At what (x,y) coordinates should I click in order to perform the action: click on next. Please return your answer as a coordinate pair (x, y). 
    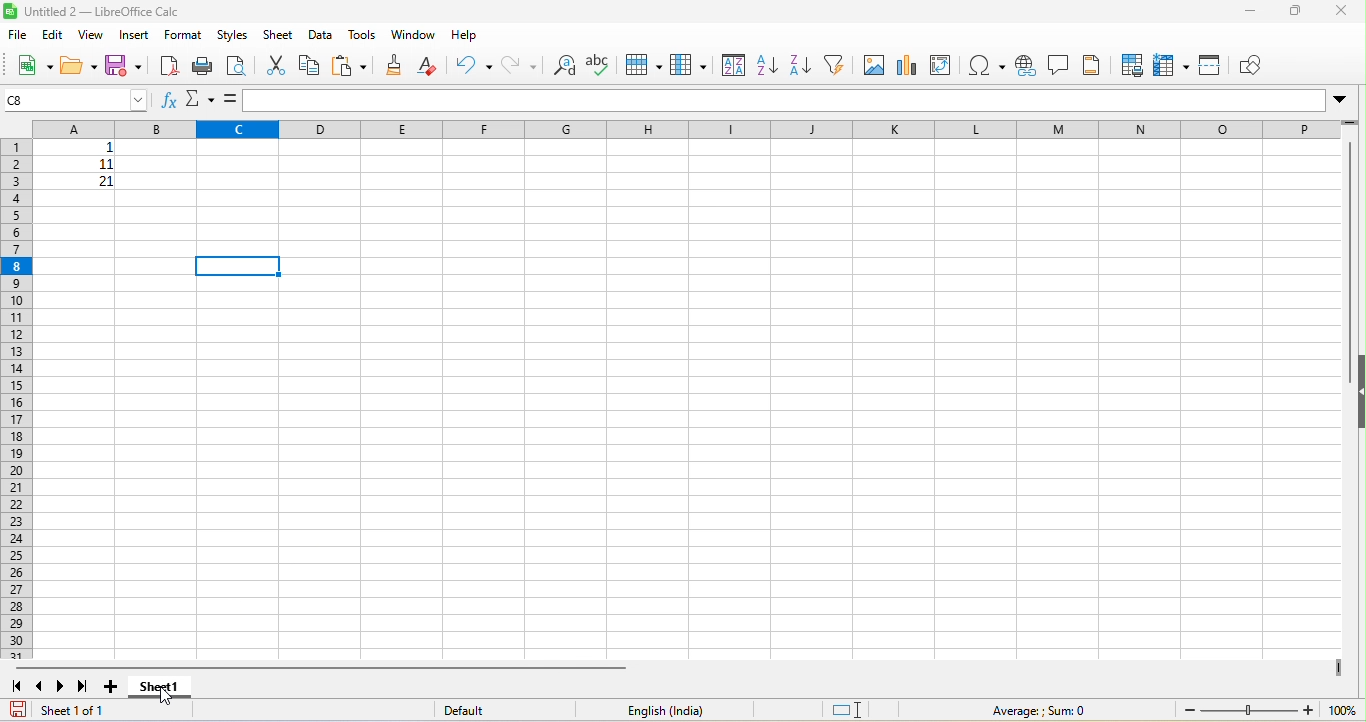
    Looking at the image, I should click on (62, 686).